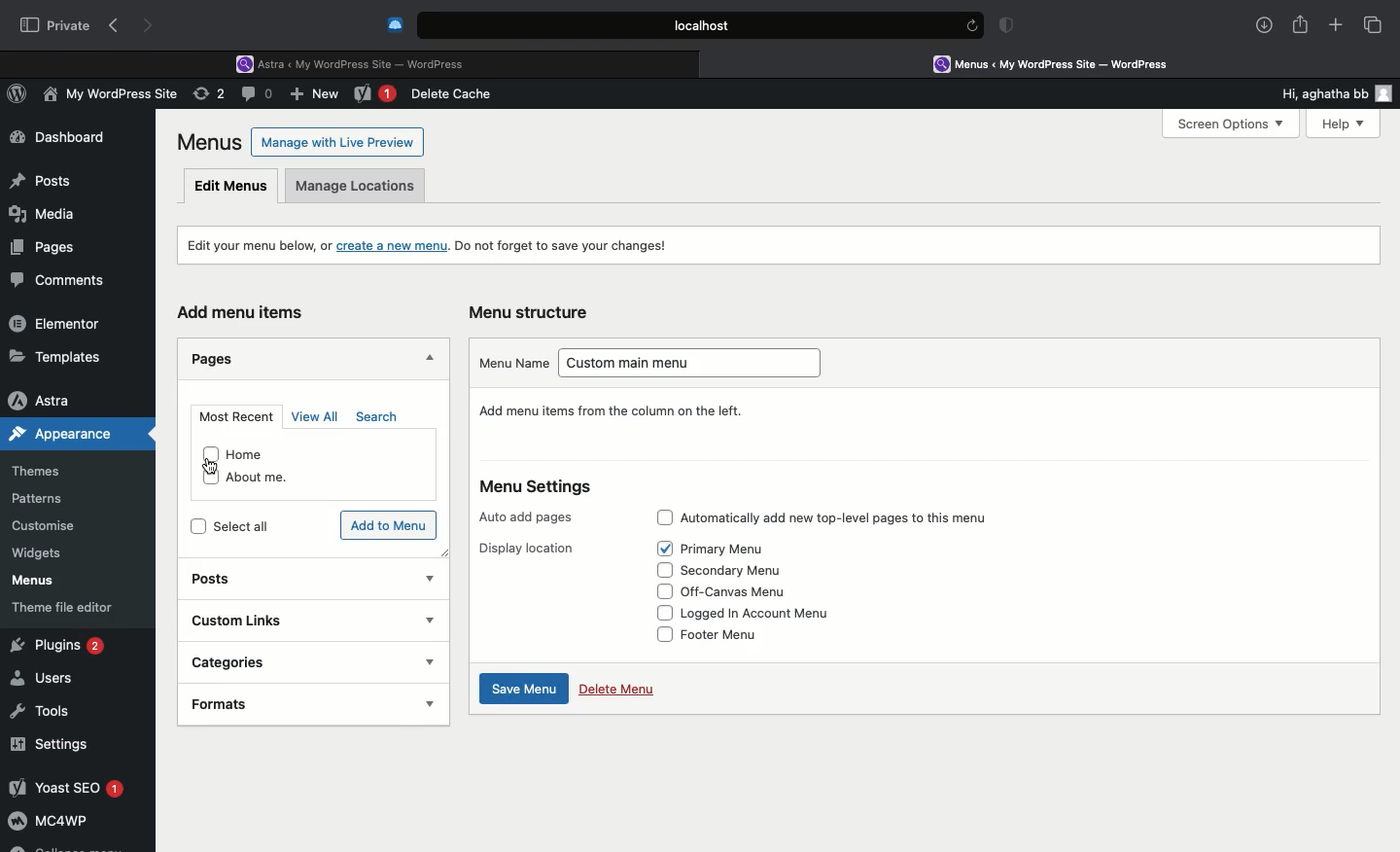 The height and width of the screenshot is (852, 1400). Describe the element at coordinates (79, 434) in the screenshot. I see `Appearance` at that location.